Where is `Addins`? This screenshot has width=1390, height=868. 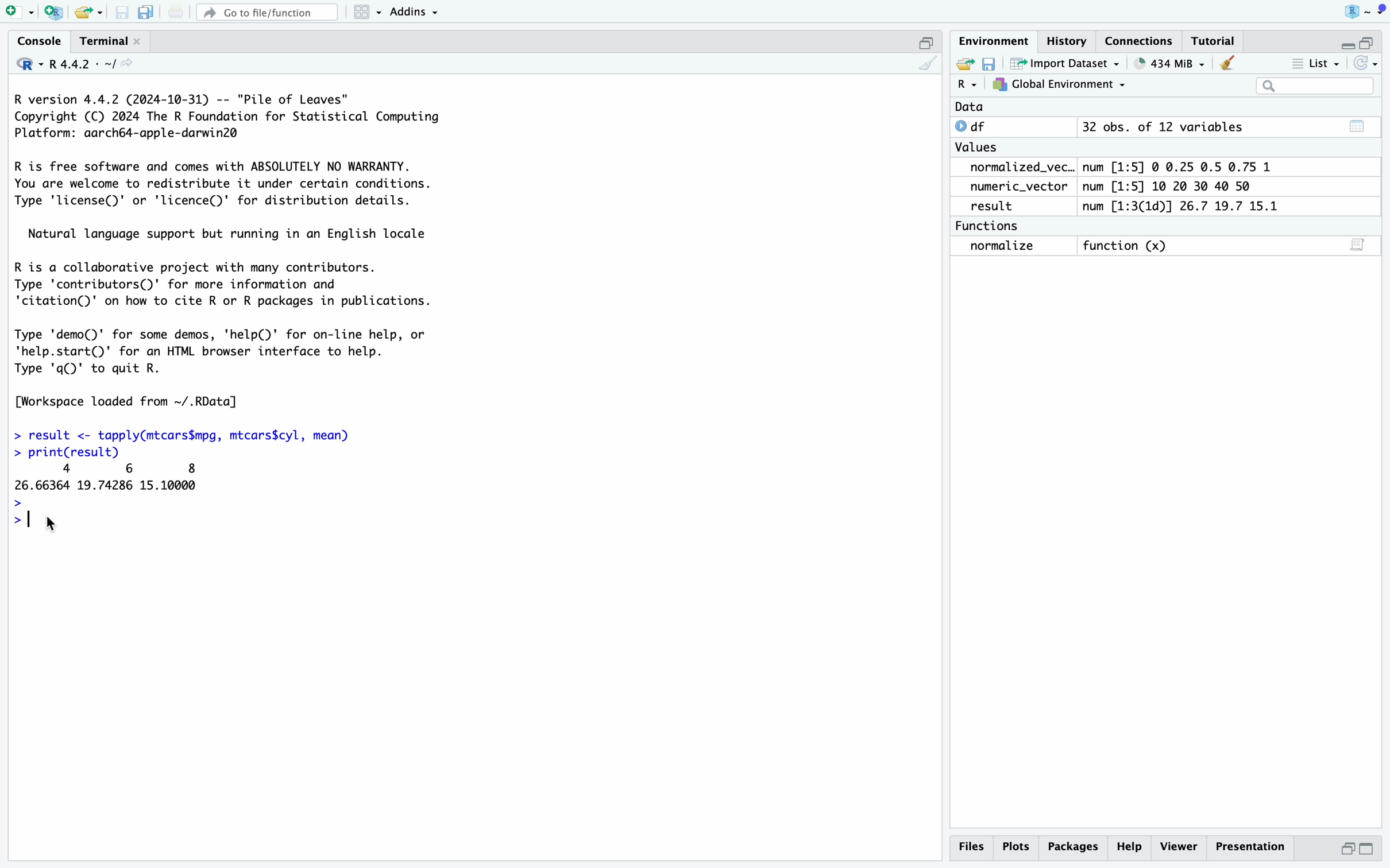
Addins is located at coordinates (415, 10).